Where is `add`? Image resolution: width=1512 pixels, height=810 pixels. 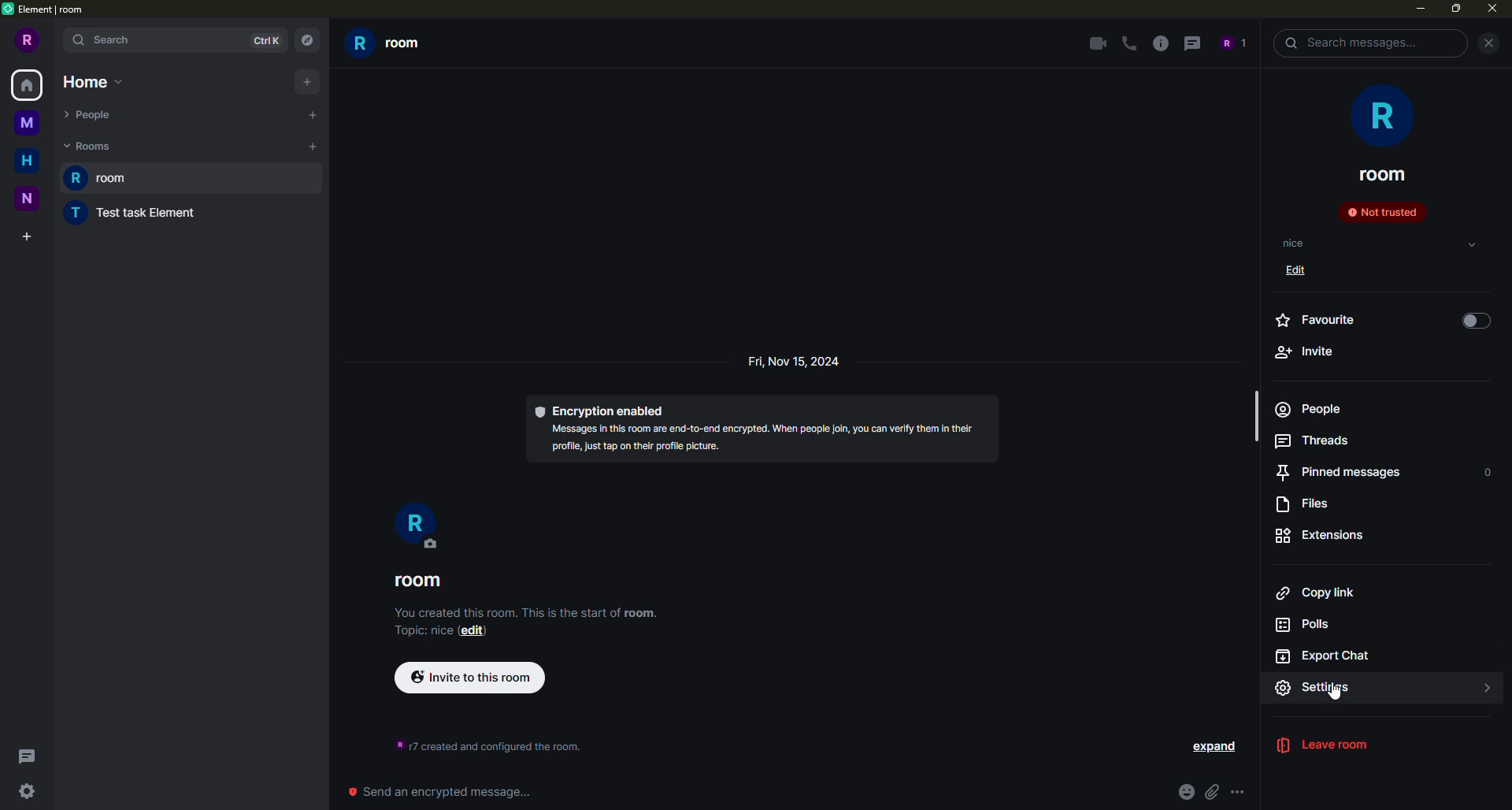 add is located at coordinates (313, 147).